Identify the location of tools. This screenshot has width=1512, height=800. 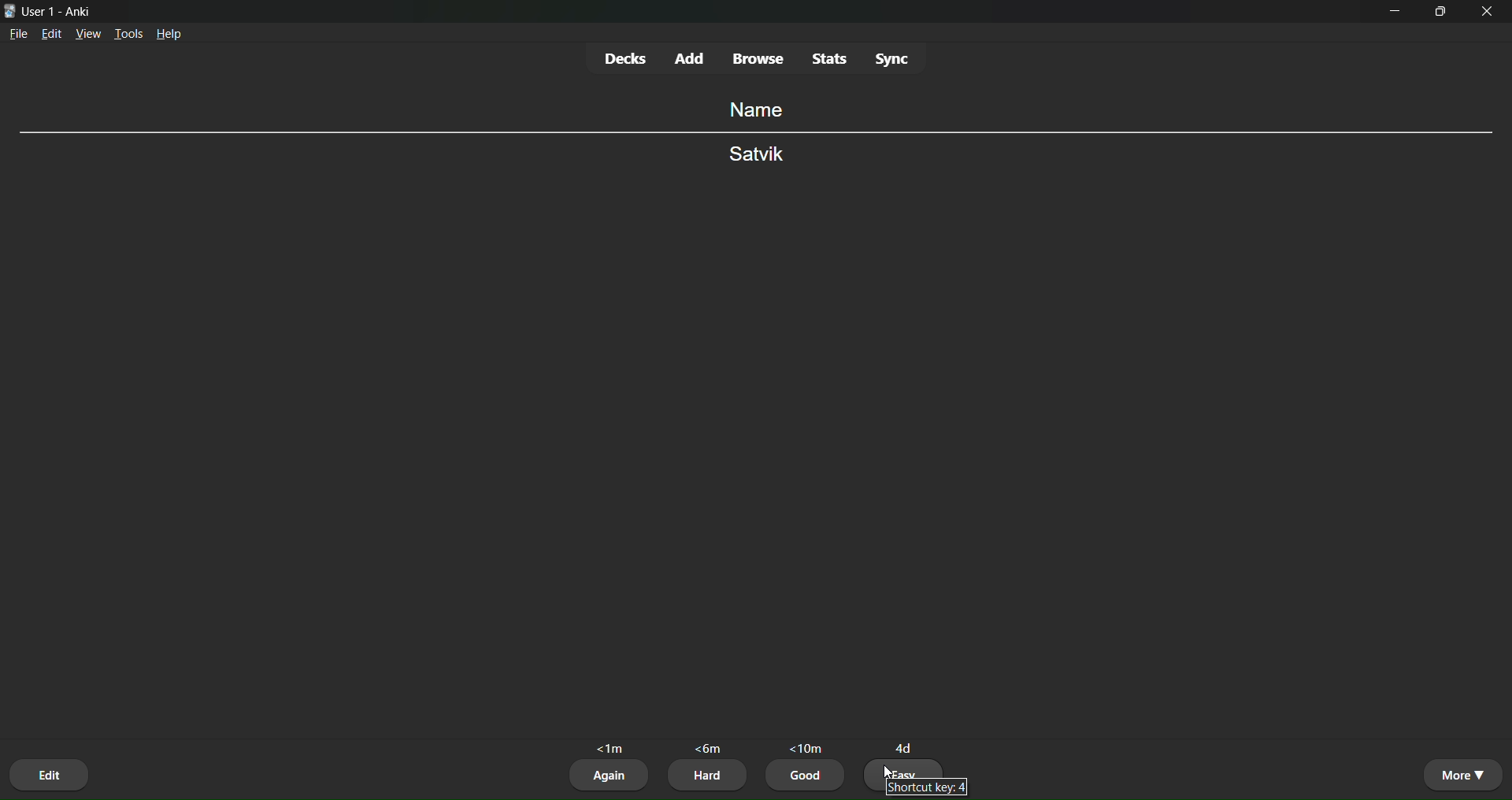
(130, 31).